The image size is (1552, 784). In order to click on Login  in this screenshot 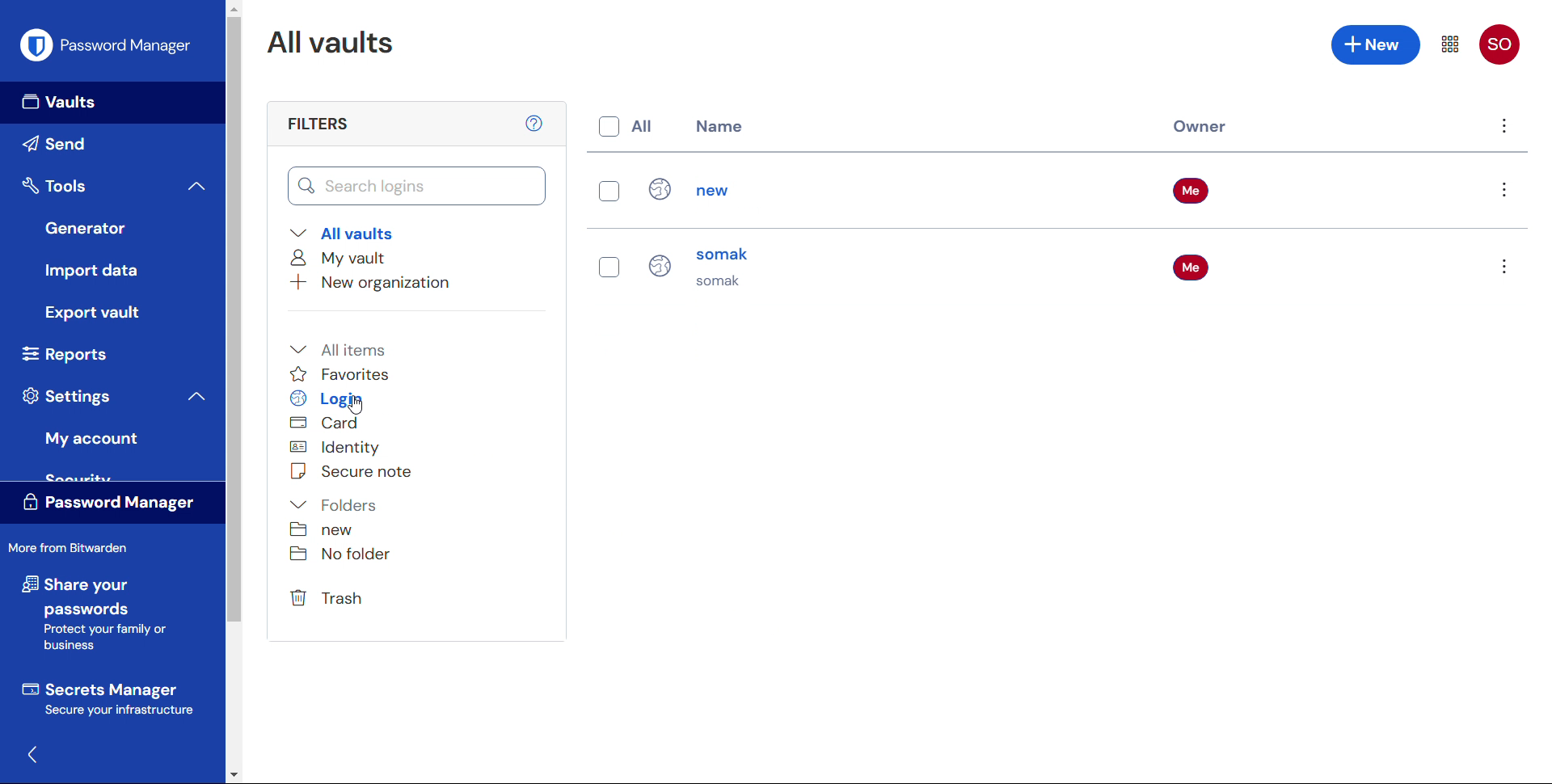, I will do `click(327, 398)`.